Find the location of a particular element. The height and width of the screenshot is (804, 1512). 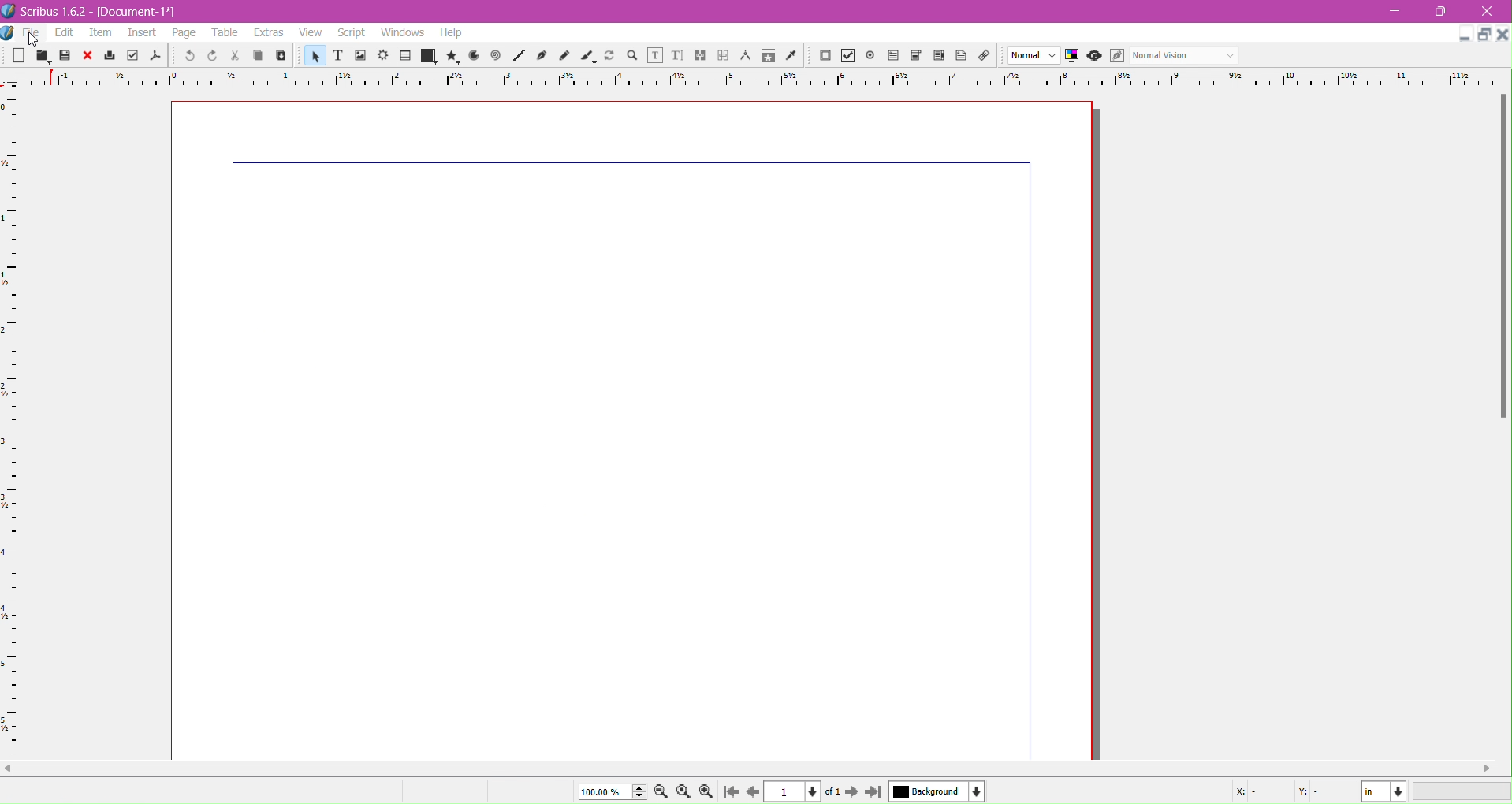

zoom to 100% is located at coordinates (685, 792).